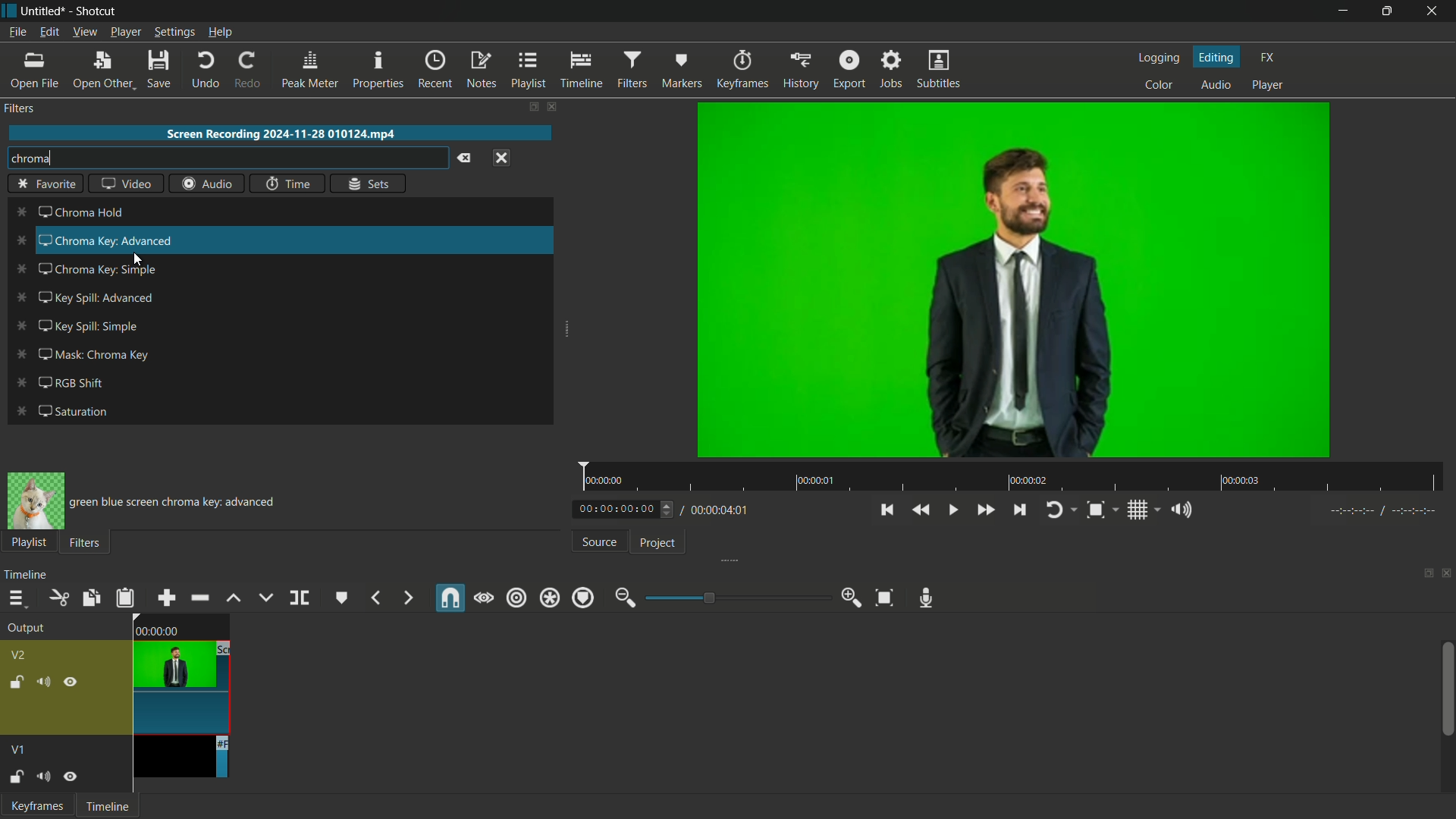 The height and width of the screenshot is (819, 1456). I want to click on logging, so click(1158, 58).